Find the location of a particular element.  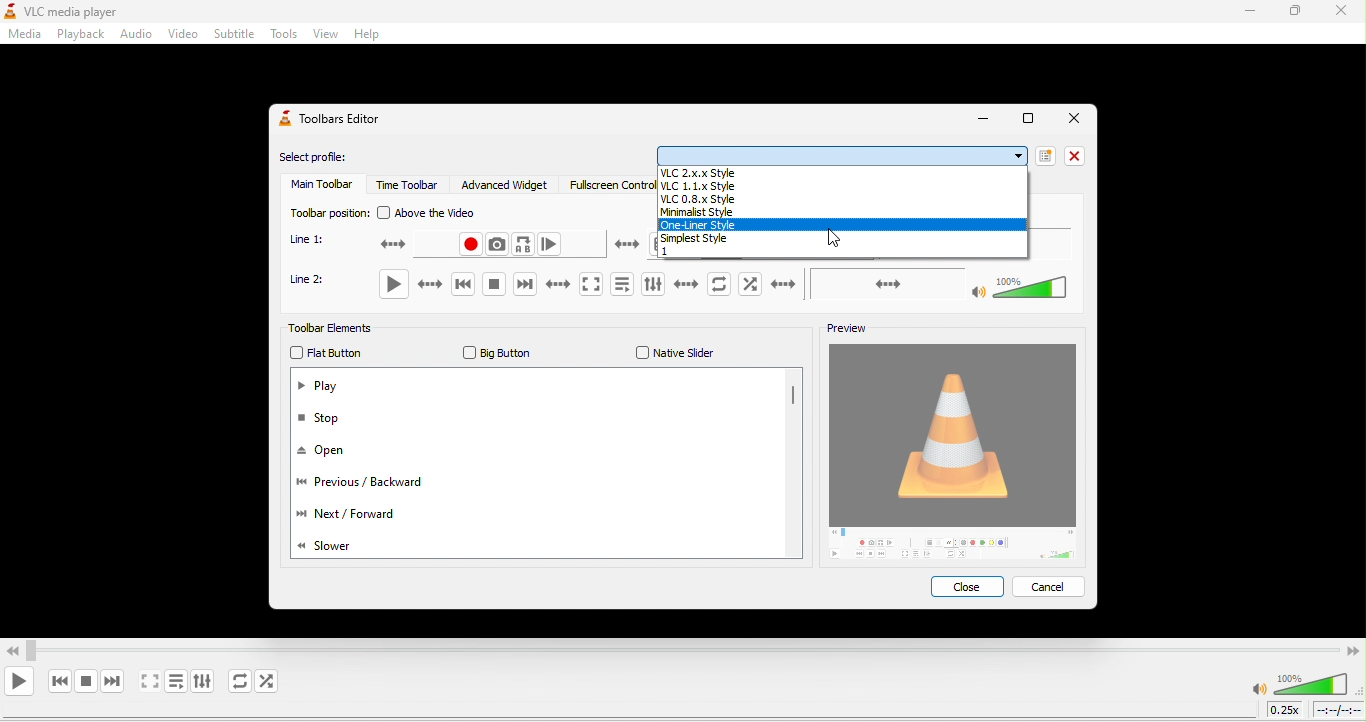

close is located at coordinates (1342, 12).